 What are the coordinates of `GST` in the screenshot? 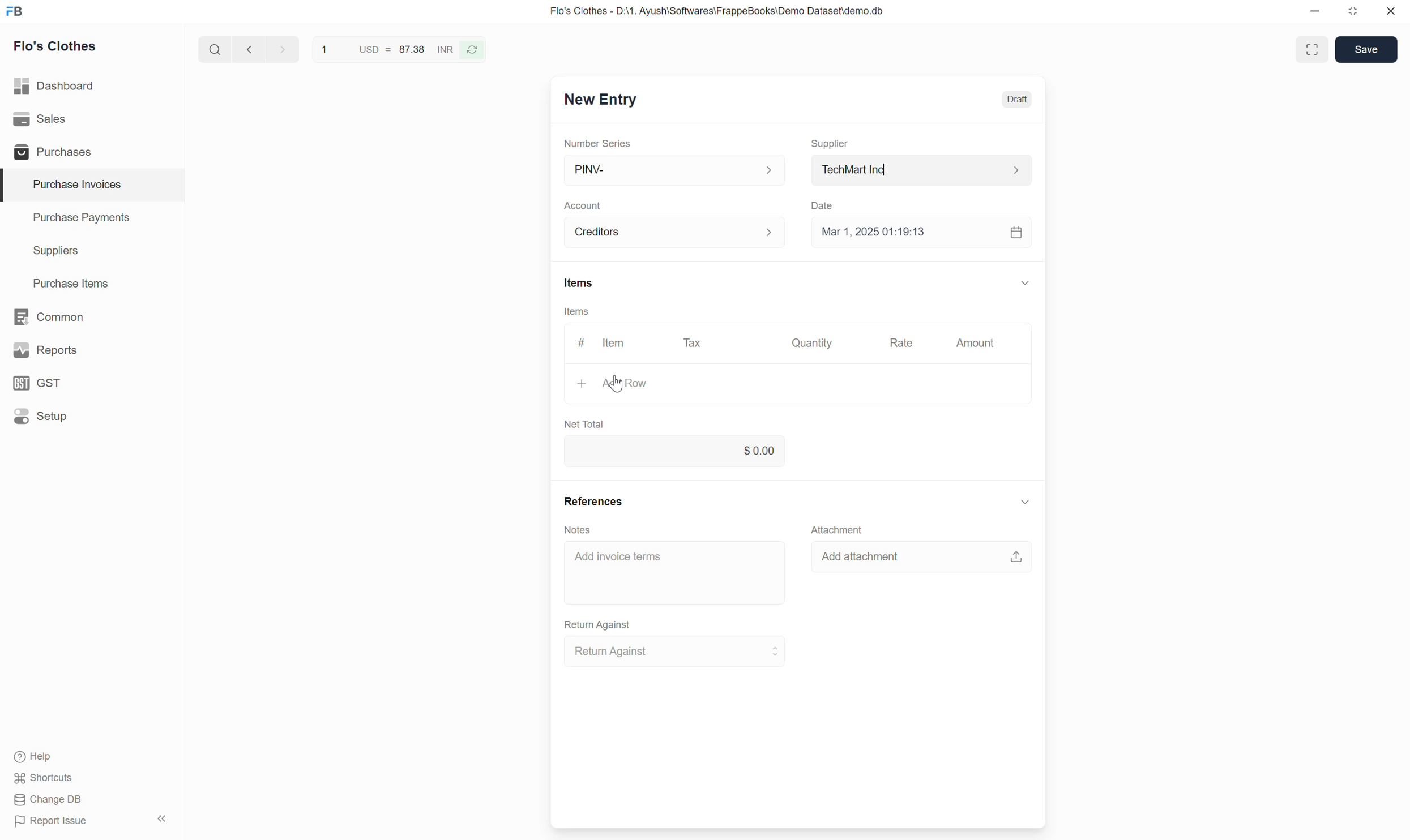 It's located at (42, 383).